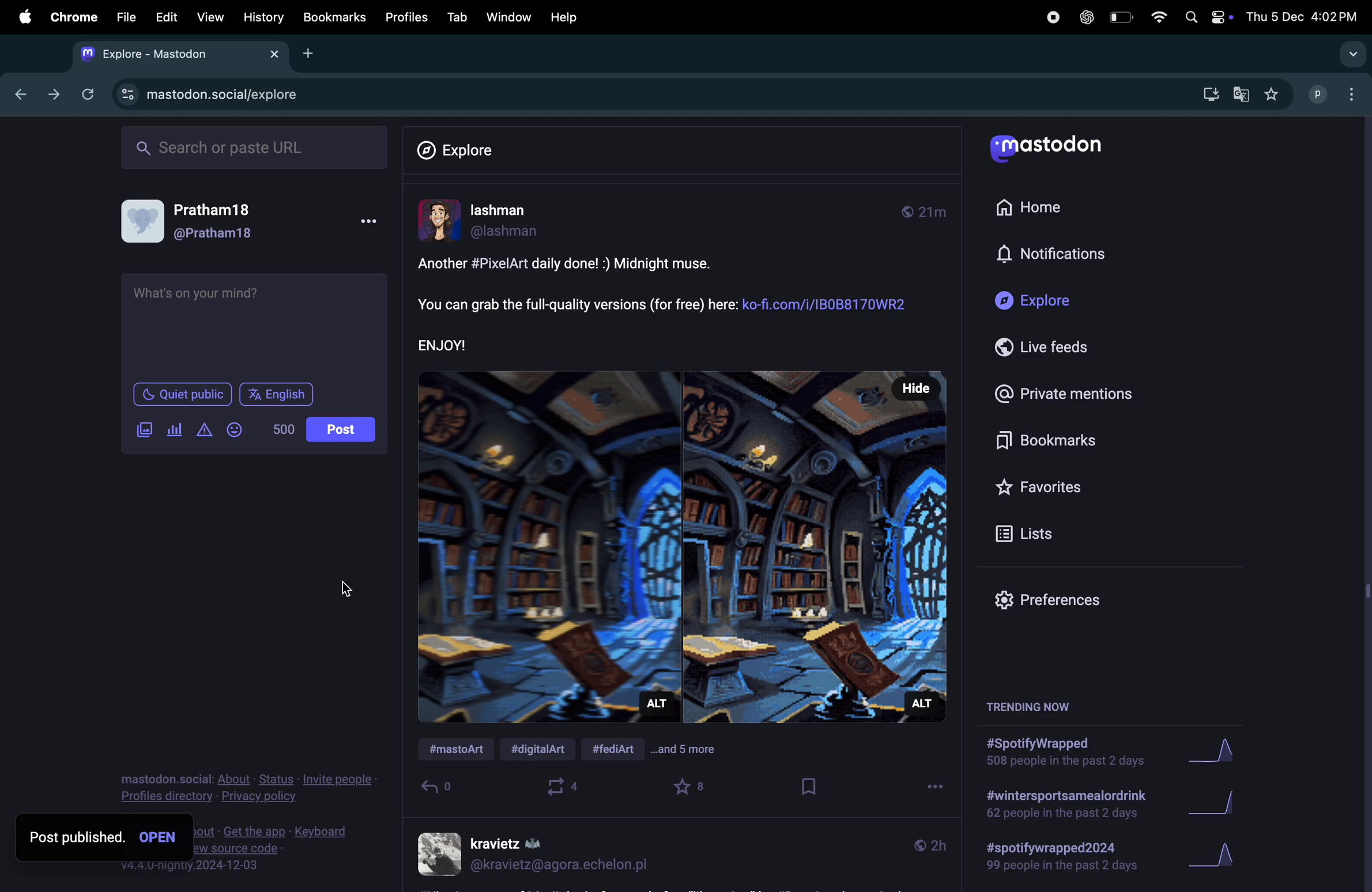 The image size is (1372, 892). Describe the element at coordinates (455, 146) in the screenshot. I see `Explore` at that location.